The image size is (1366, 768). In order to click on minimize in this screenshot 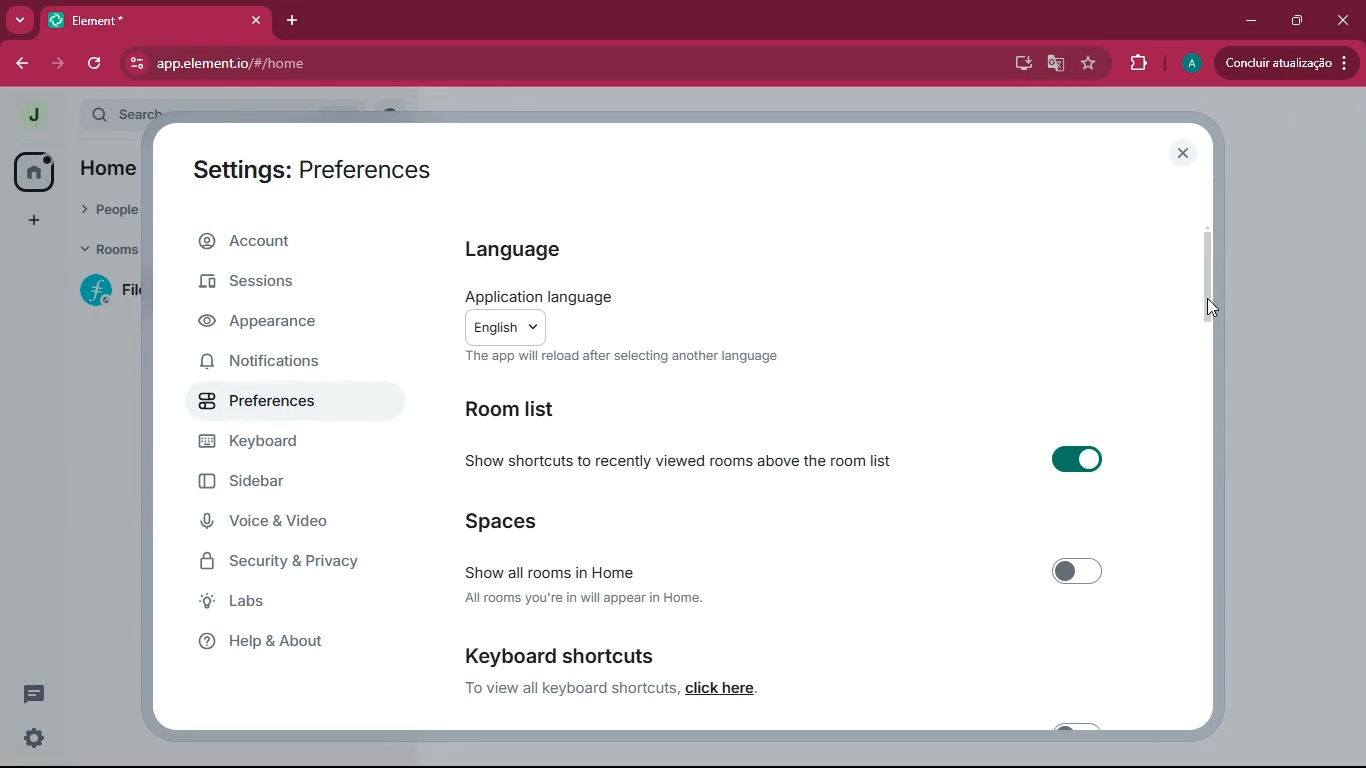, I will do `click(1246, 21)`.